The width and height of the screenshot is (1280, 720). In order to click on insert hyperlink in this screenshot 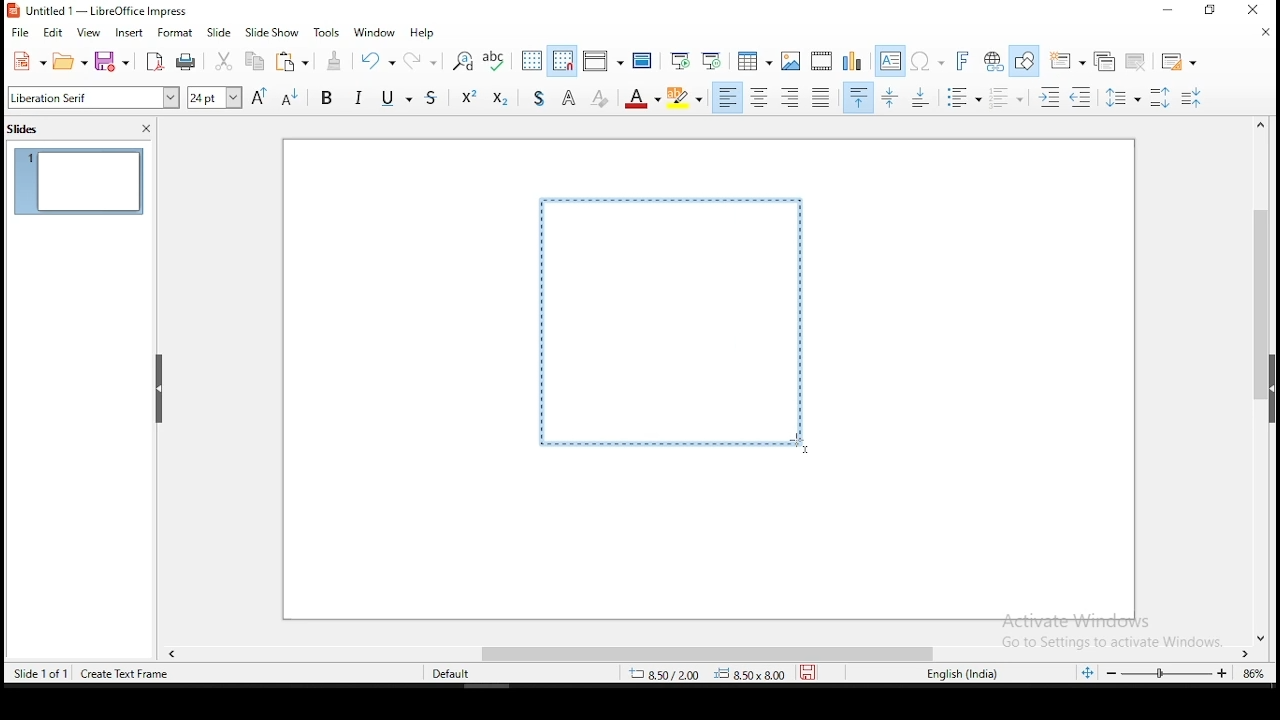, I will do `click(992, 60)`.